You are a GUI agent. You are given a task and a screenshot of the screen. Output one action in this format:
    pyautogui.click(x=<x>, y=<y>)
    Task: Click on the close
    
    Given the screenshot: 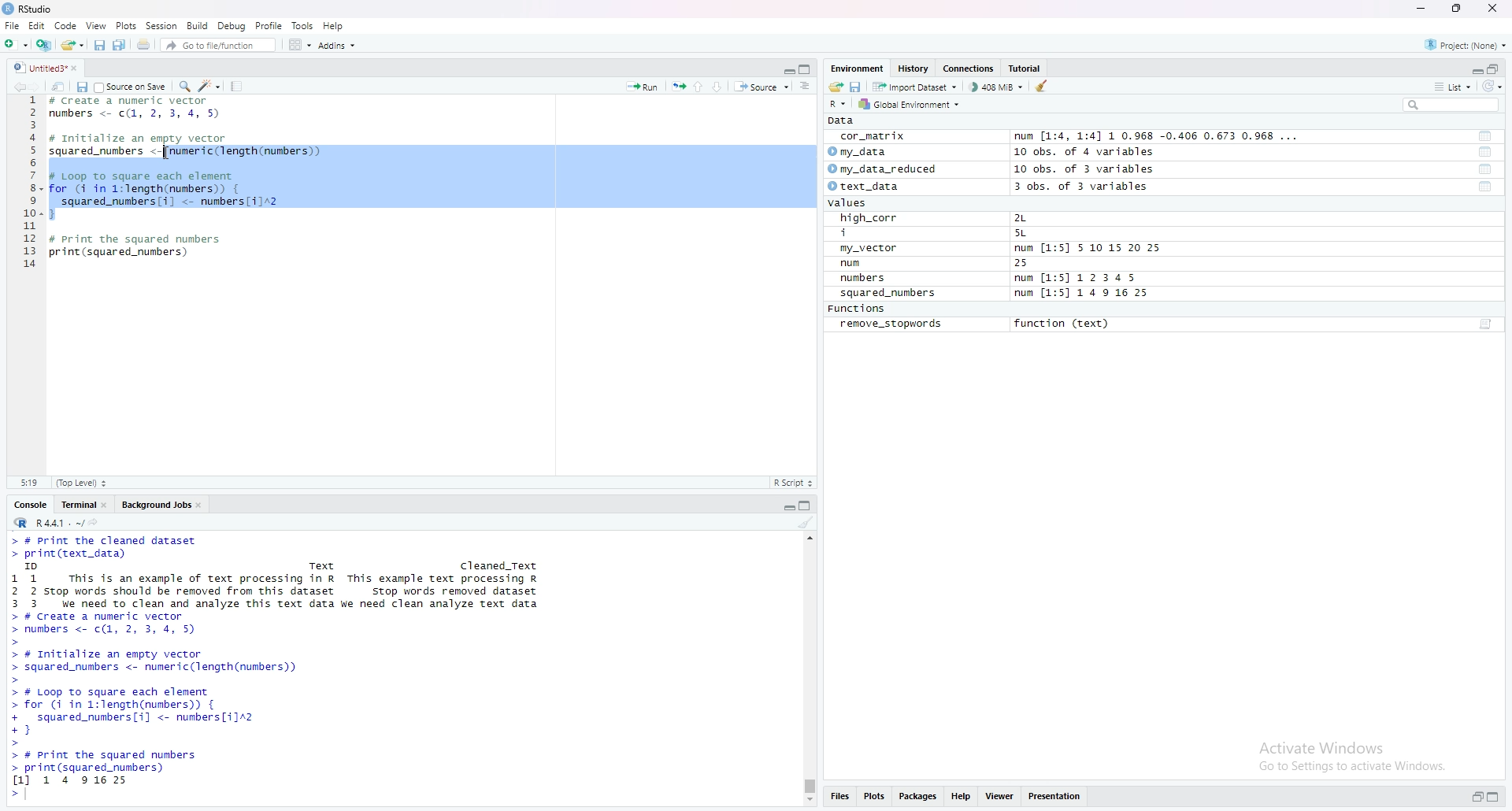 What is the action you would take?
    pyautogui.click(x=80, y=67)
    